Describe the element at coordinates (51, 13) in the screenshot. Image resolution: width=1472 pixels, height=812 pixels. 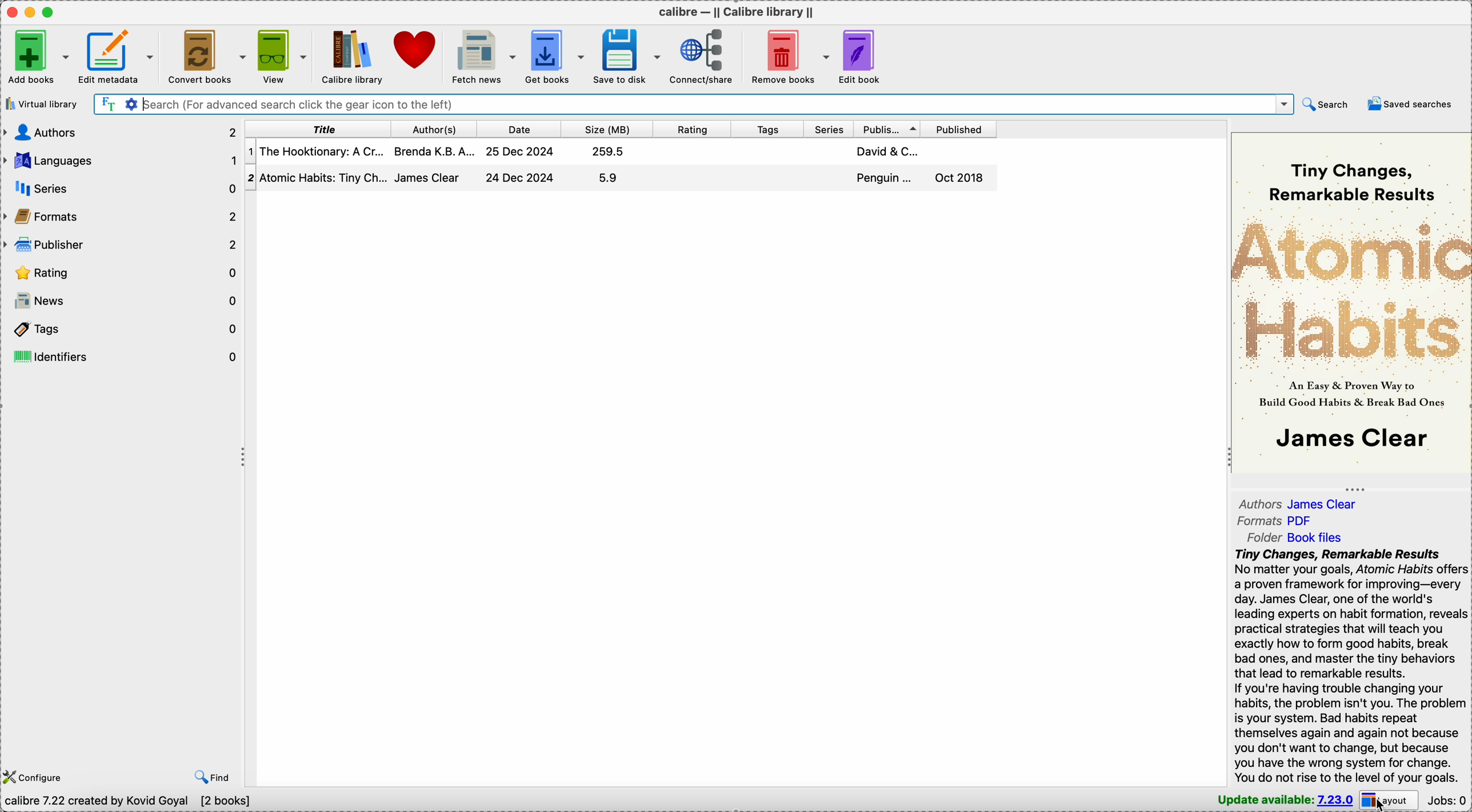
I see `maximize` at that location.